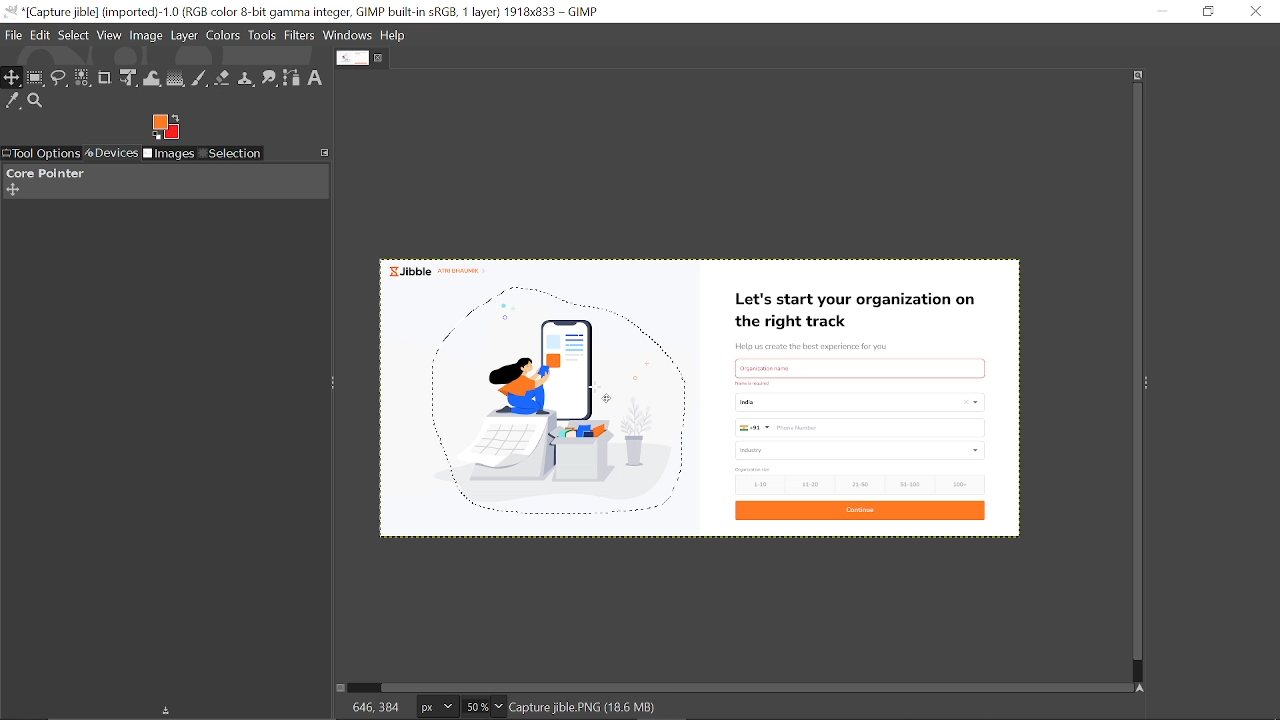 The width and height of the screenshot is (1280, 720). I want to click on Minimize, so click(1161, 10).